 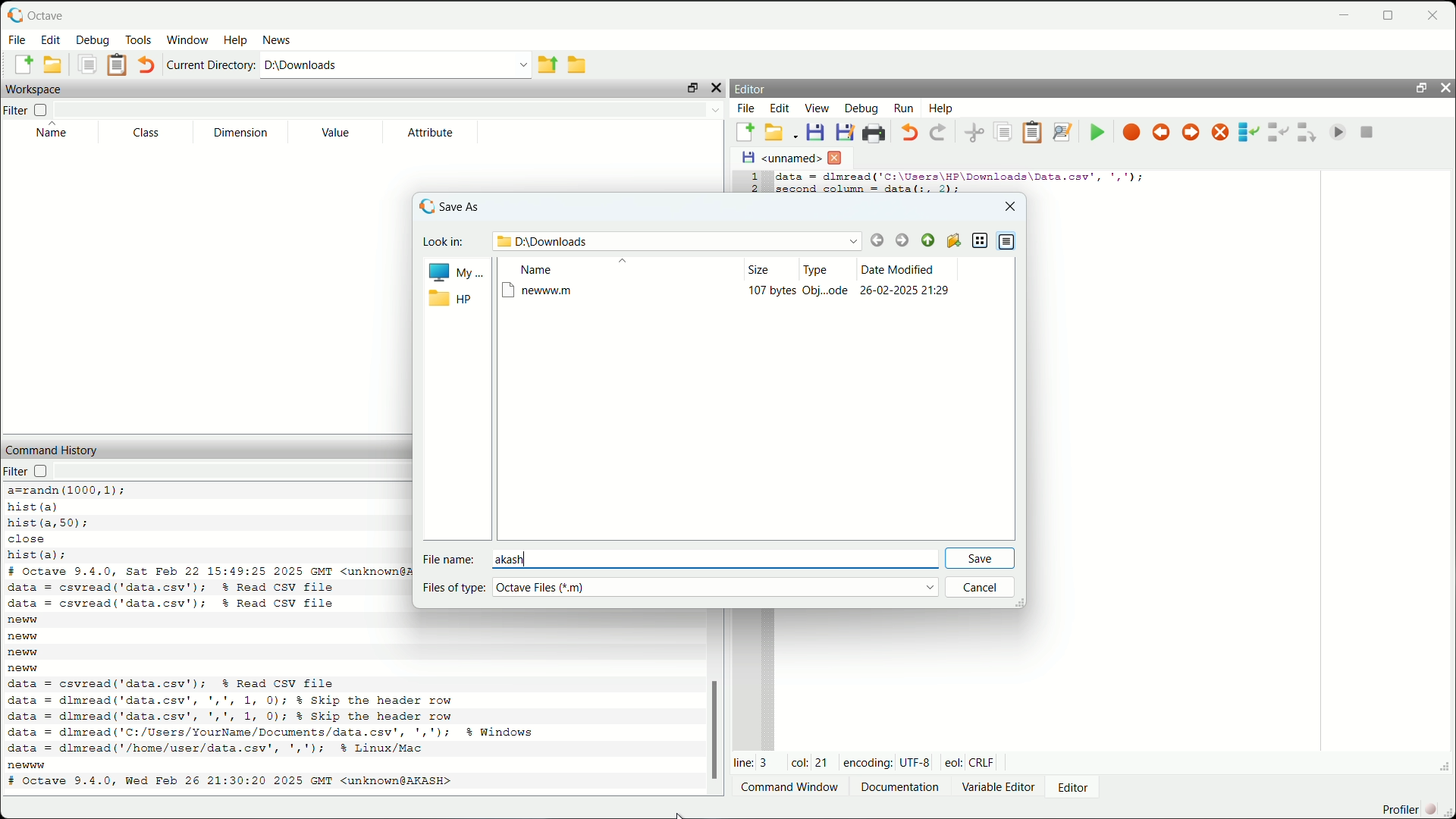 I want to click on save file and run/continue, so click(x=1097, y=132).